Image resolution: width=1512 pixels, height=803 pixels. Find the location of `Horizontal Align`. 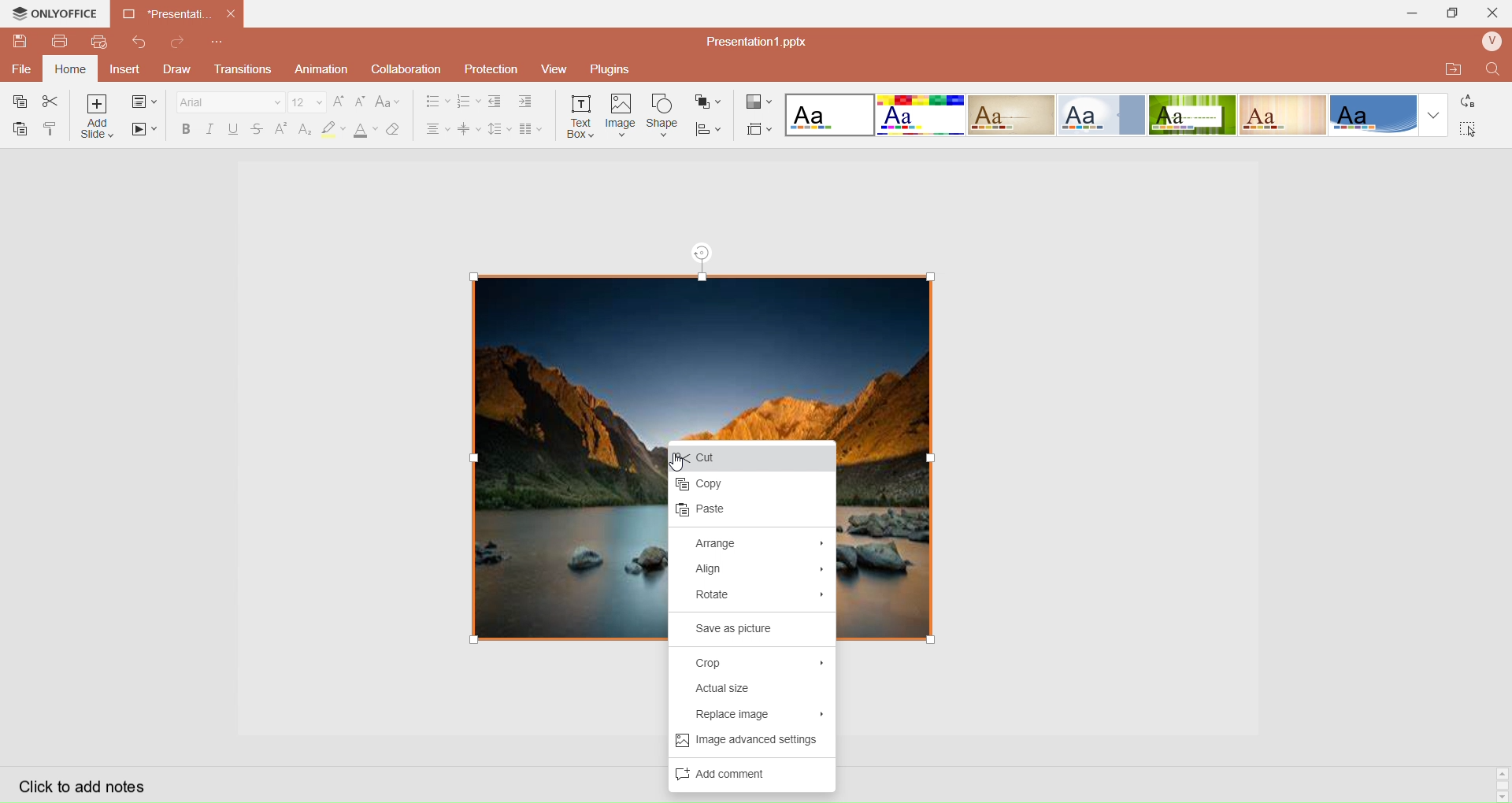

Horizontal Align is located at coordinates (439, 128).